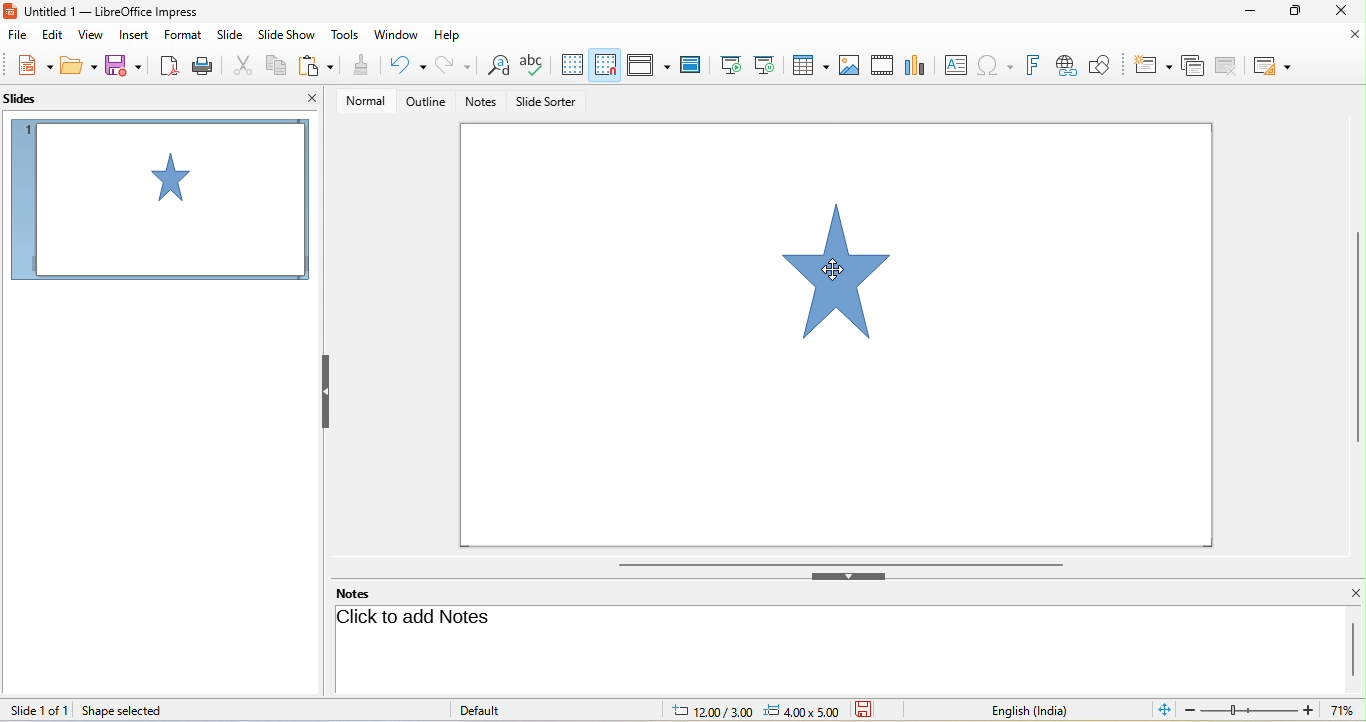 This screenshot has width=1366, height=722. I want to click on close, so click(1345, 10).